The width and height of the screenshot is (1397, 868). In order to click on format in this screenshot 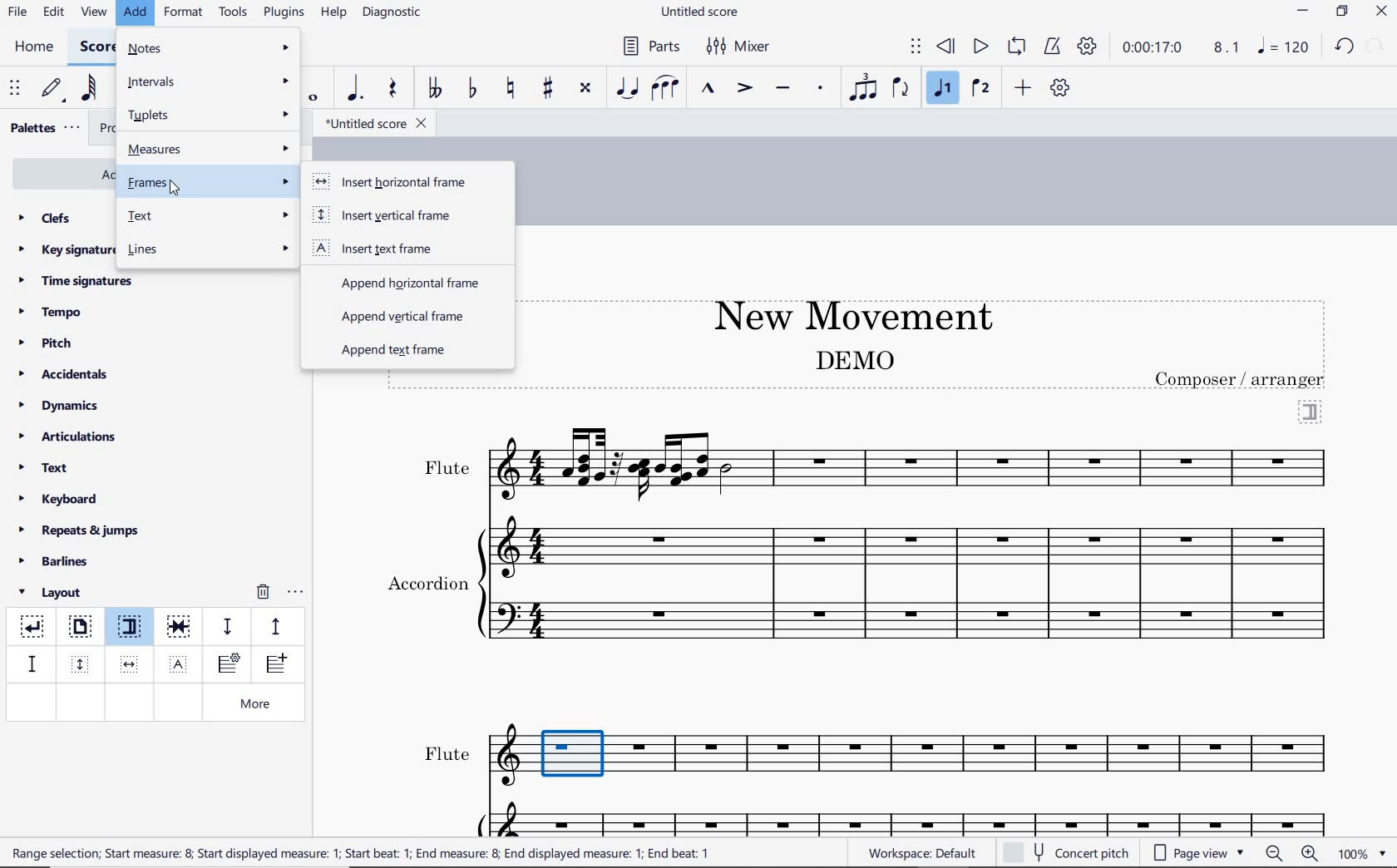, I will do `click(185, 12)`.